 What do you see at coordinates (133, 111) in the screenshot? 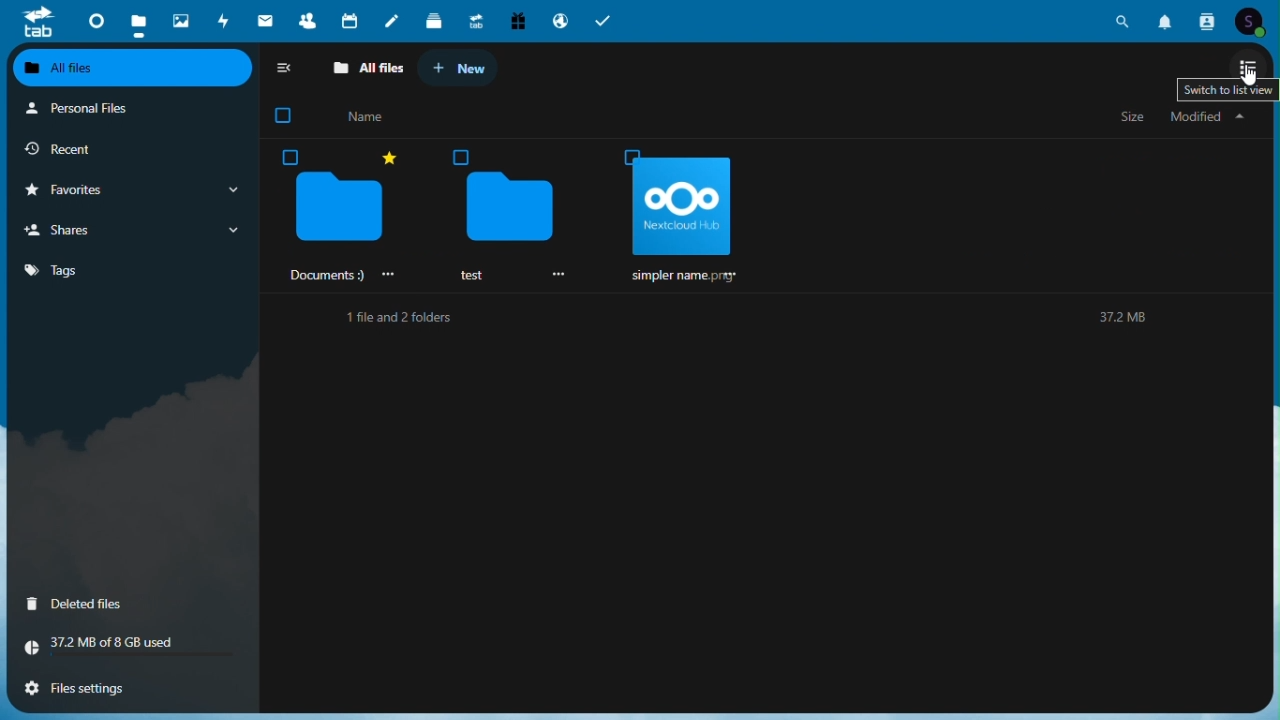
I see `Personal files` at bounding box center [133, 111].